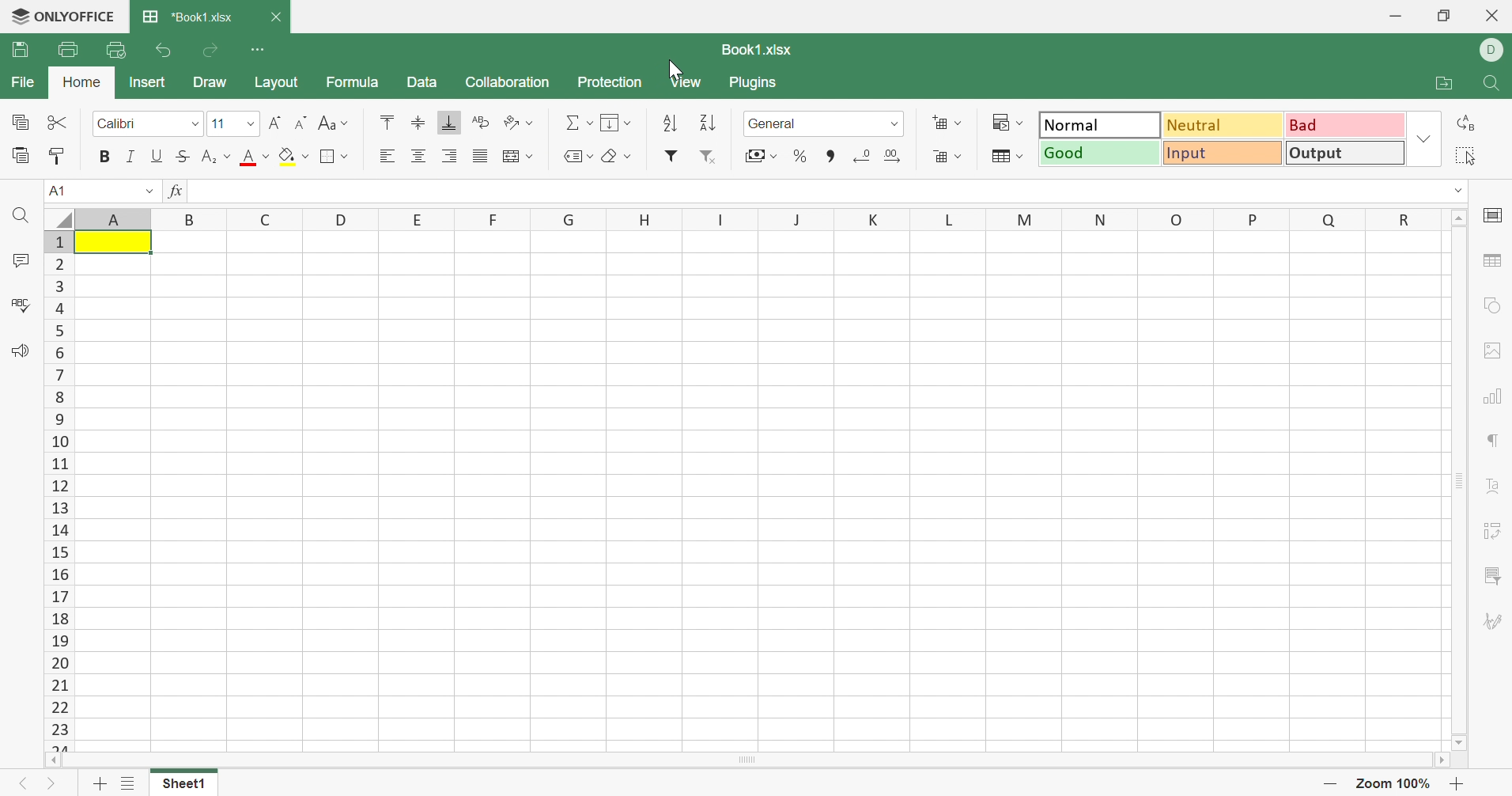 Image resolution: width=1512 pixels, height=796 pixels. Describe the element at coordinates (183, 785) in the screenshot. I see `Select1` at that location.